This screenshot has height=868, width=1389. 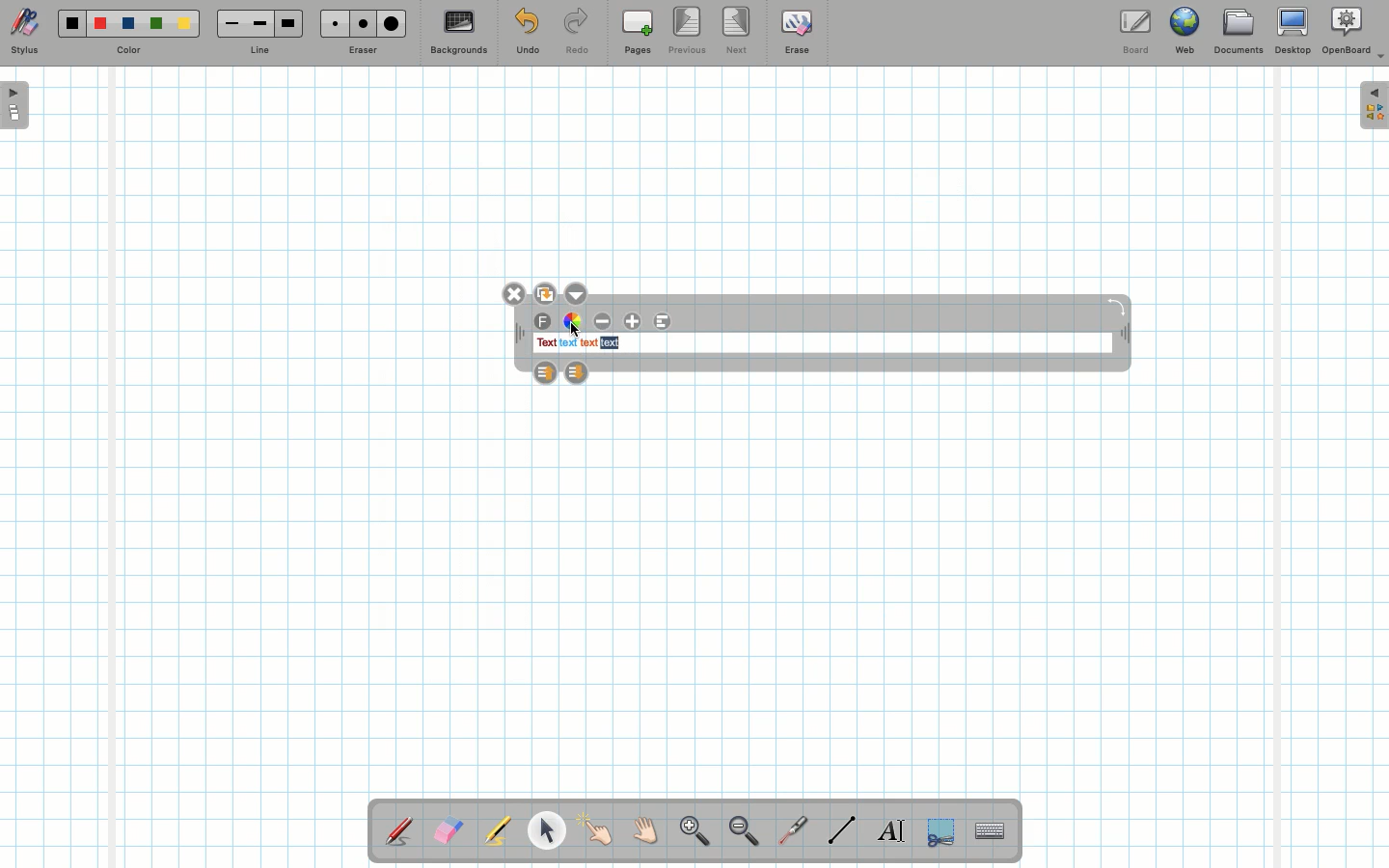 I want to click on Large eraser, so click(x=392, y=23).